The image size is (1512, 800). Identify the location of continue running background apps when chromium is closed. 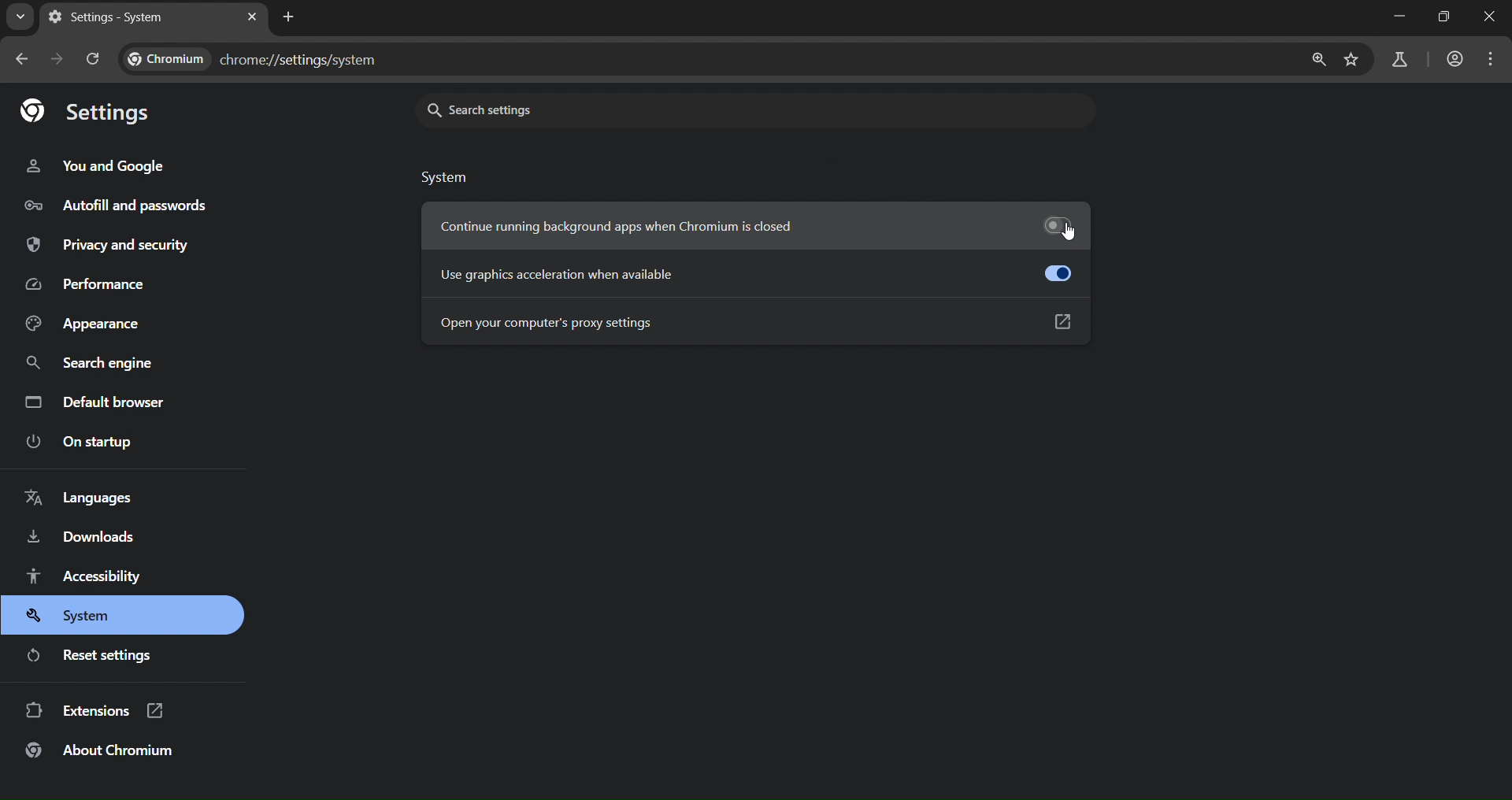
(752, 227).